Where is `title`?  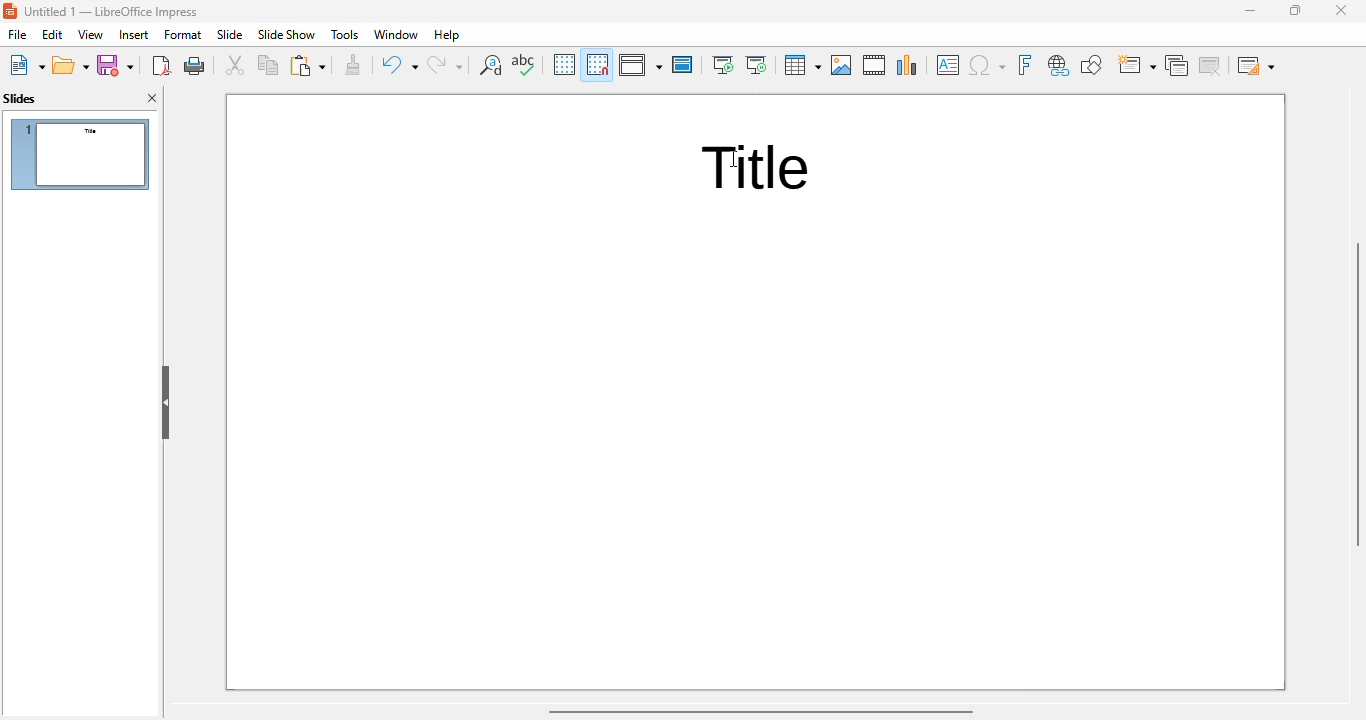 title is located at coordinates (758, 166).